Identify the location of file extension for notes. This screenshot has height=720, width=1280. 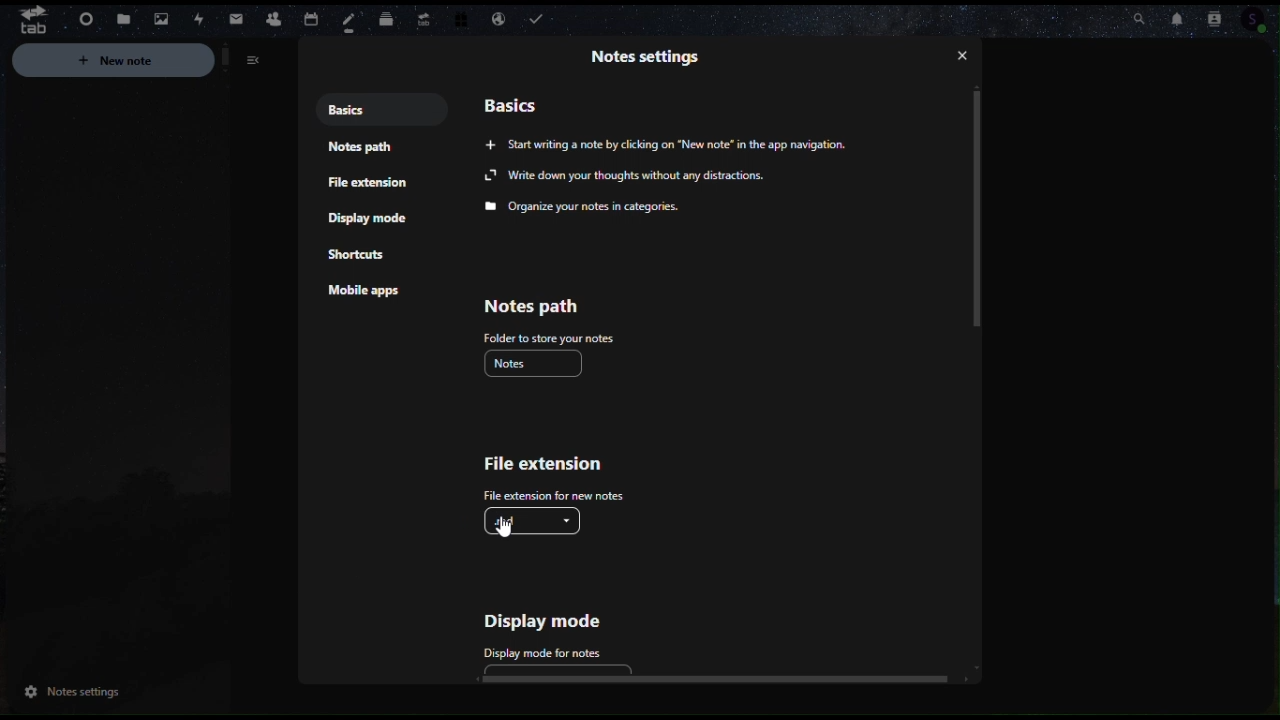
(547, 493).